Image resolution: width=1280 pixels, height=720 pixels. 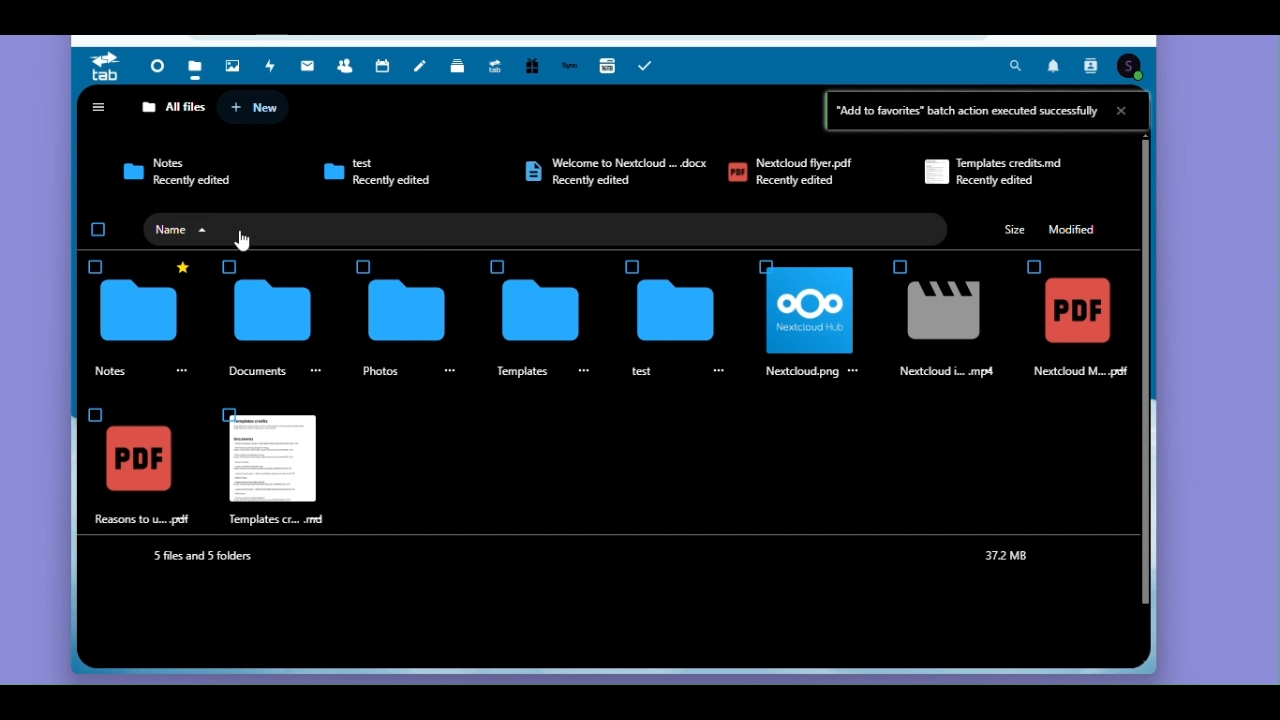 What do you see at coordinates (363, 266) in the screenshot?
I see `Check Box` at bounding box center [363, 266].